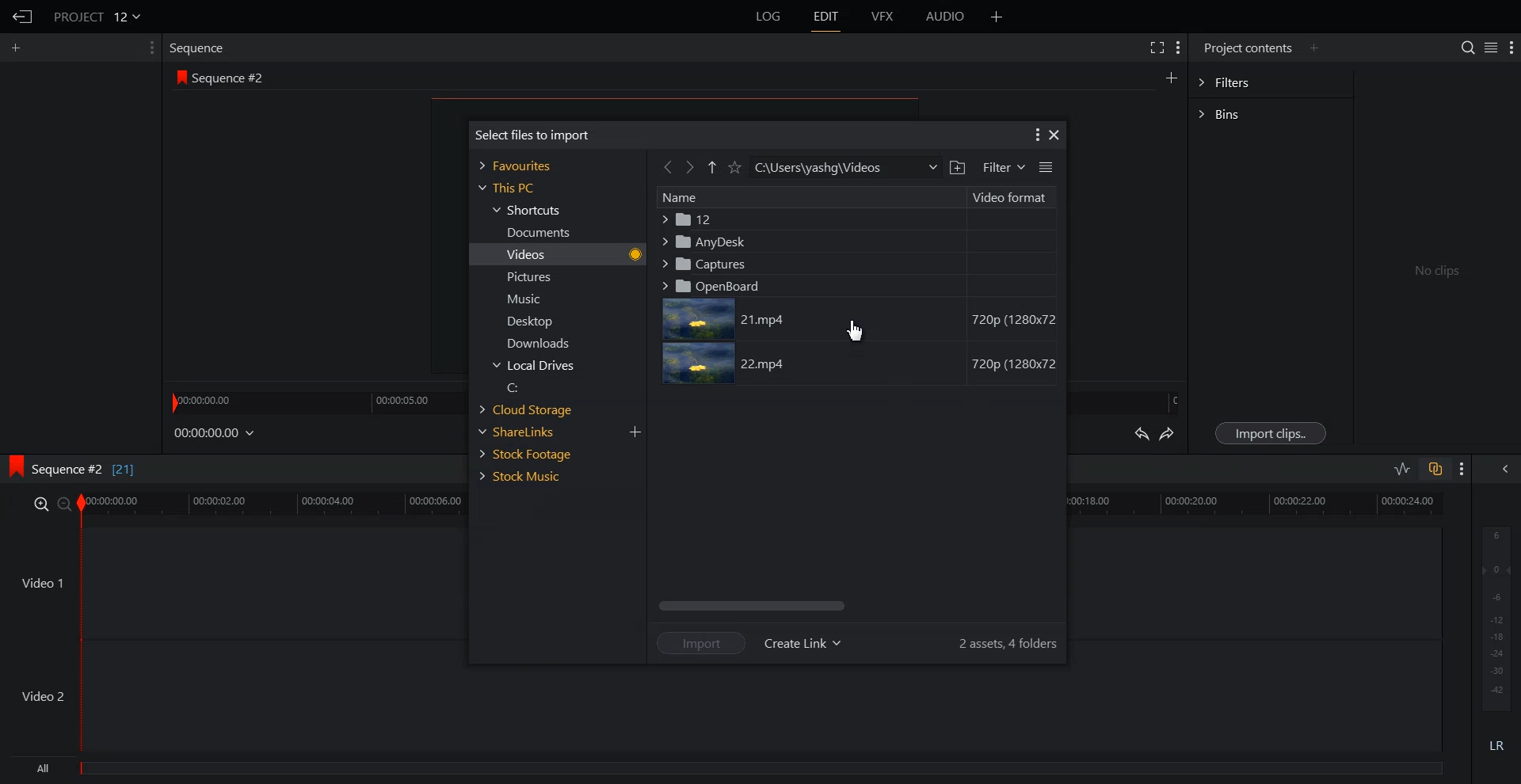 This screenshot has width=1521, height=784. Describe the element at coordinates (90, 471) in the screenshot. I see `Sequence #2 [21]` at that location.